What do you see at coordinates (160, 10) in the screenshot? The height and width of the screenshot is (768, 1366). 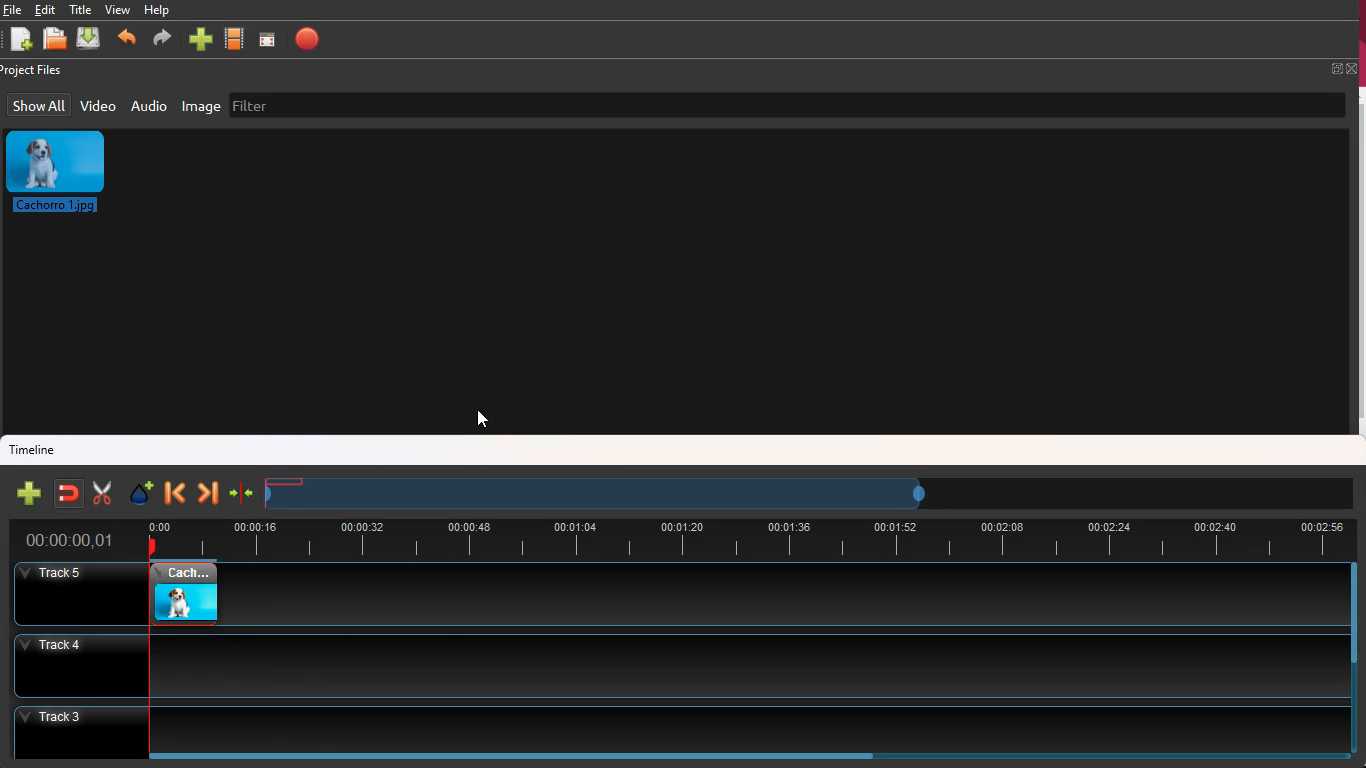 I see `help` at bounding box center [160, 10].